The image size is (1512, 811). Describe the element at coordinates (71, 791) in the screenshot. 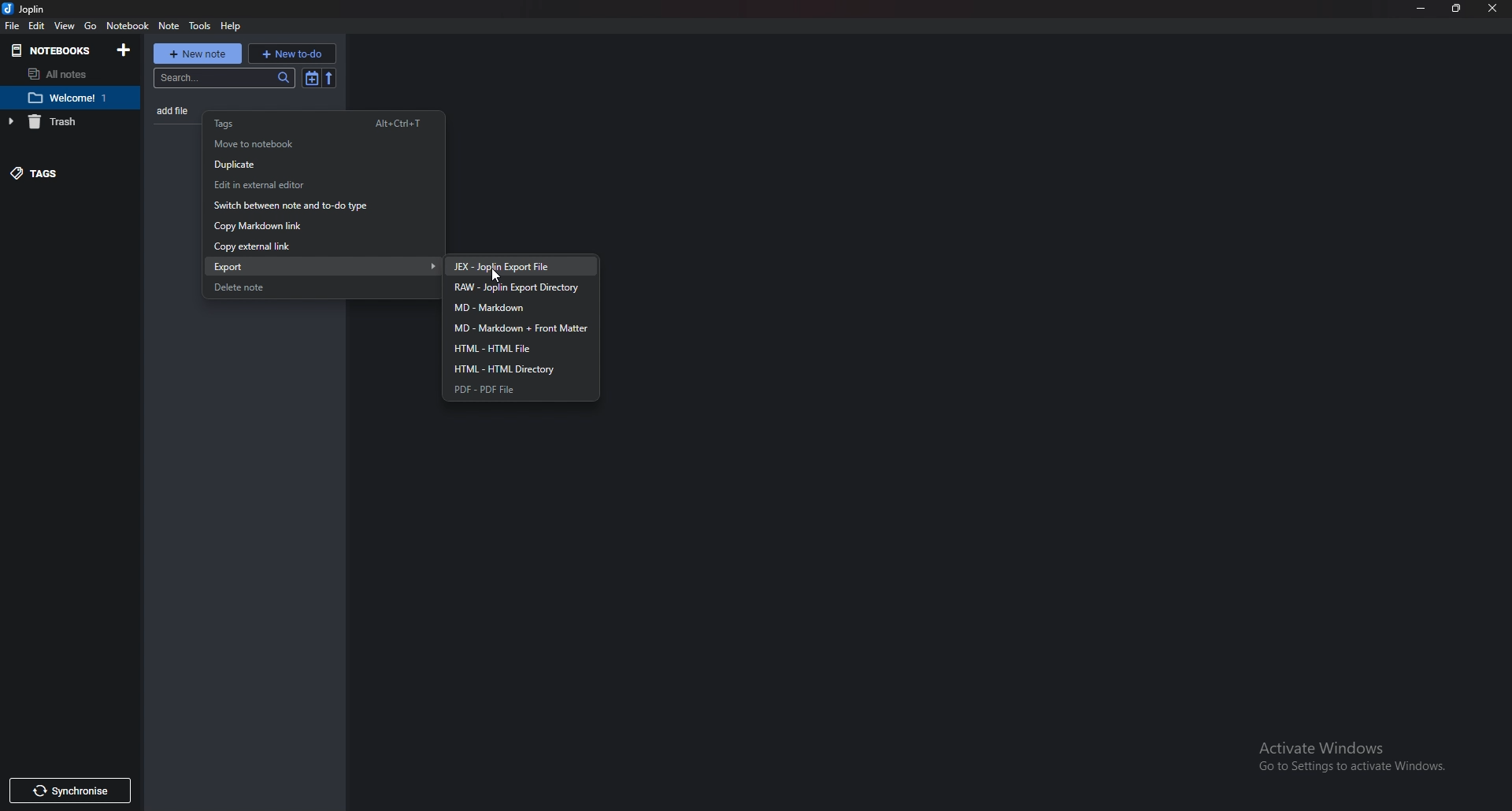

I see `Synchronize` at that location.